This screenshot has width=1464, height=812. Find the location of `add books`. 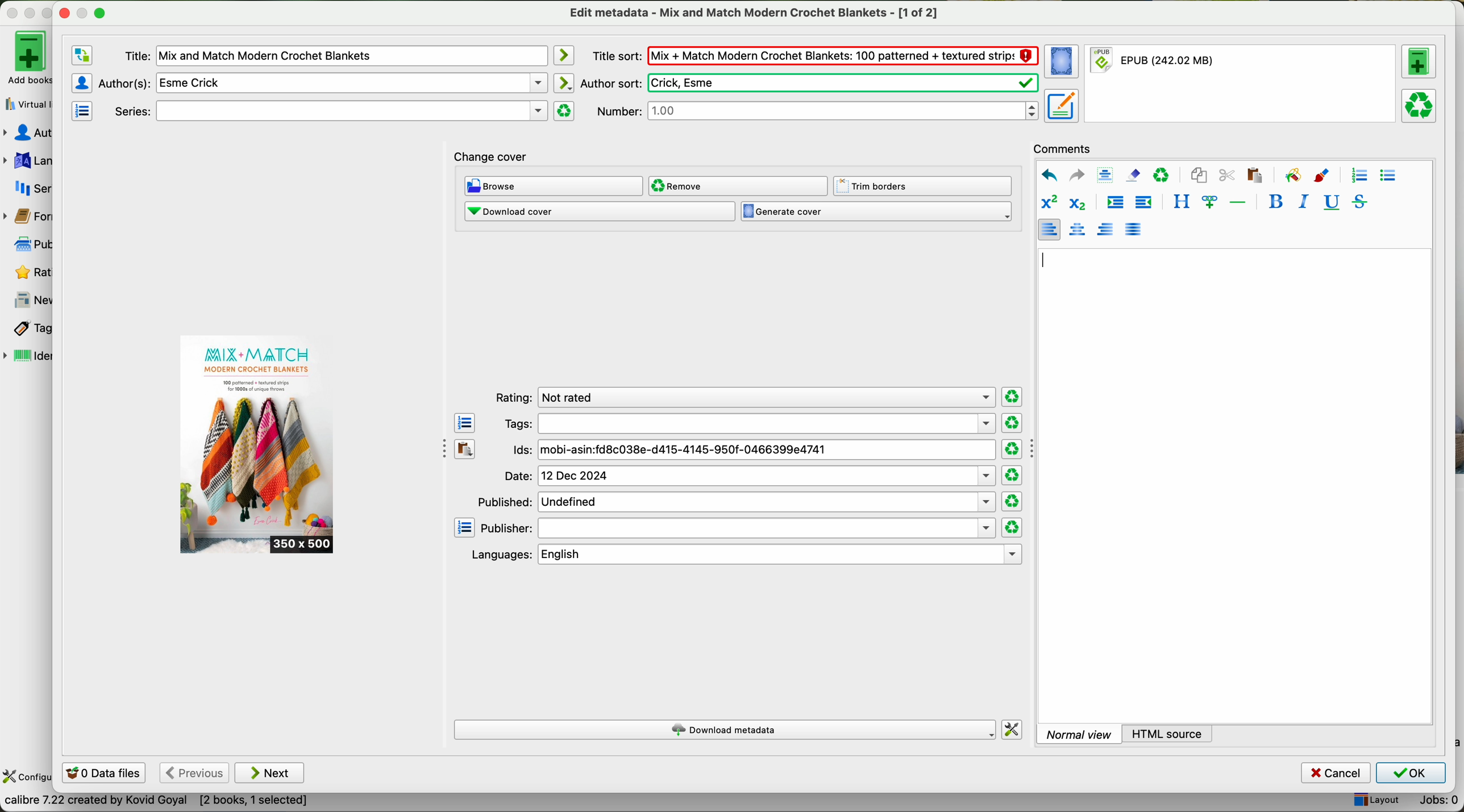

add books is located at coordinates (26, 57).